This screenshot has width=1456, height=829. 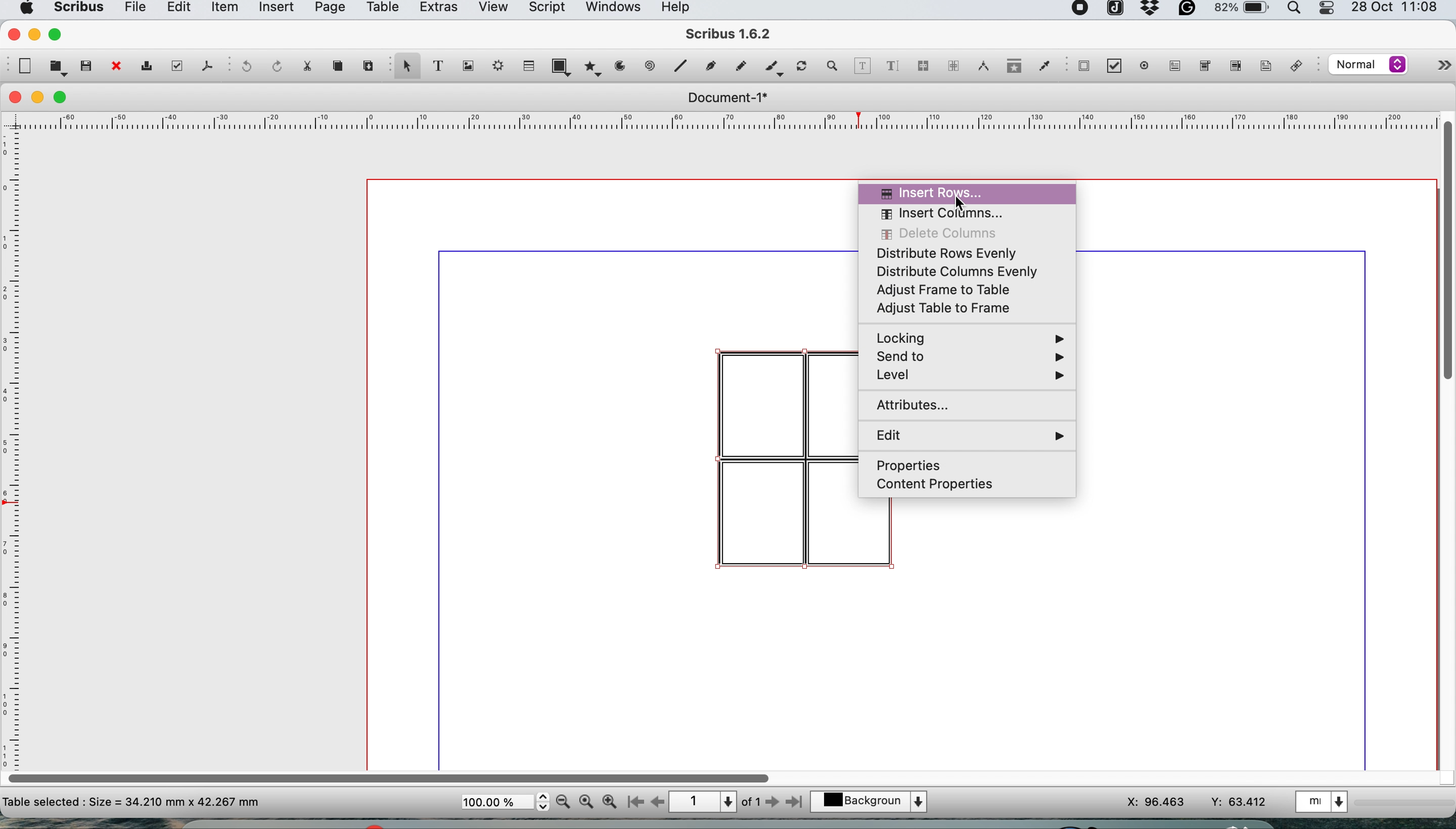 What do you see at coordinates (381, 9) in the screenshot?
I see `table` at bounding box center [381, 9].